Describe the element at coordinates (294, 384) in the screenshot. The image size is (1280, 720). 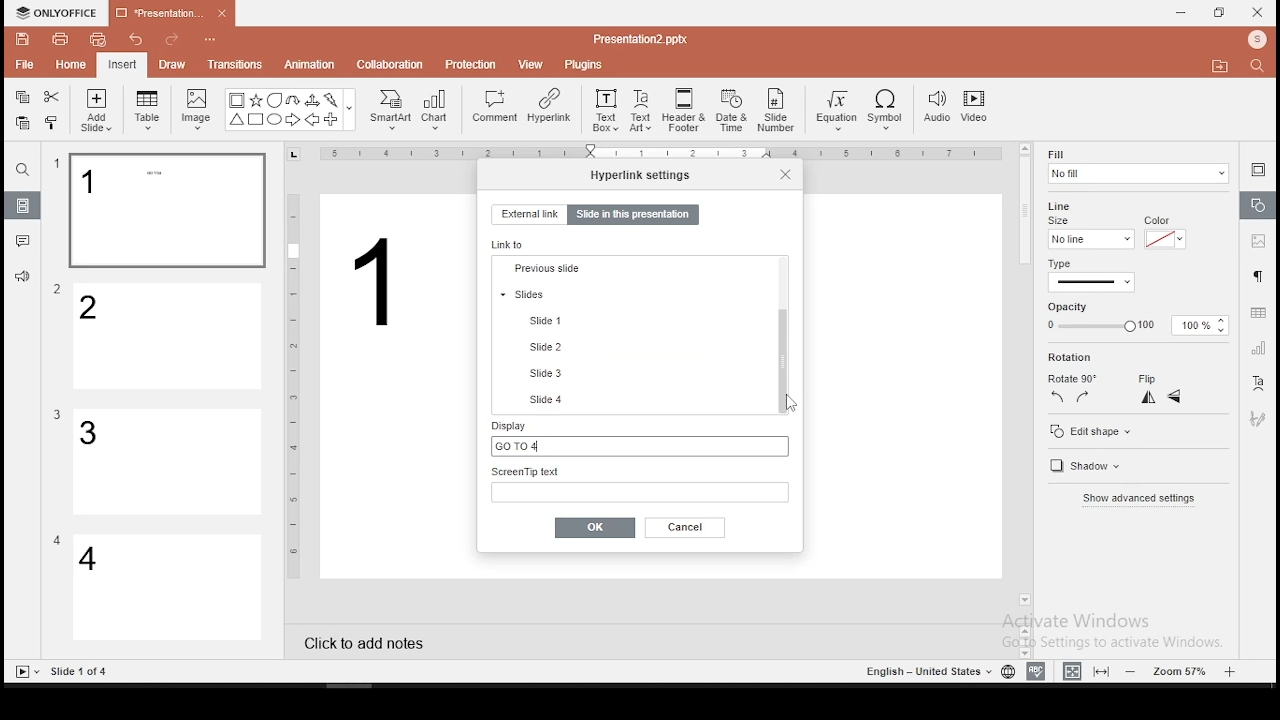
I see `` at that location.